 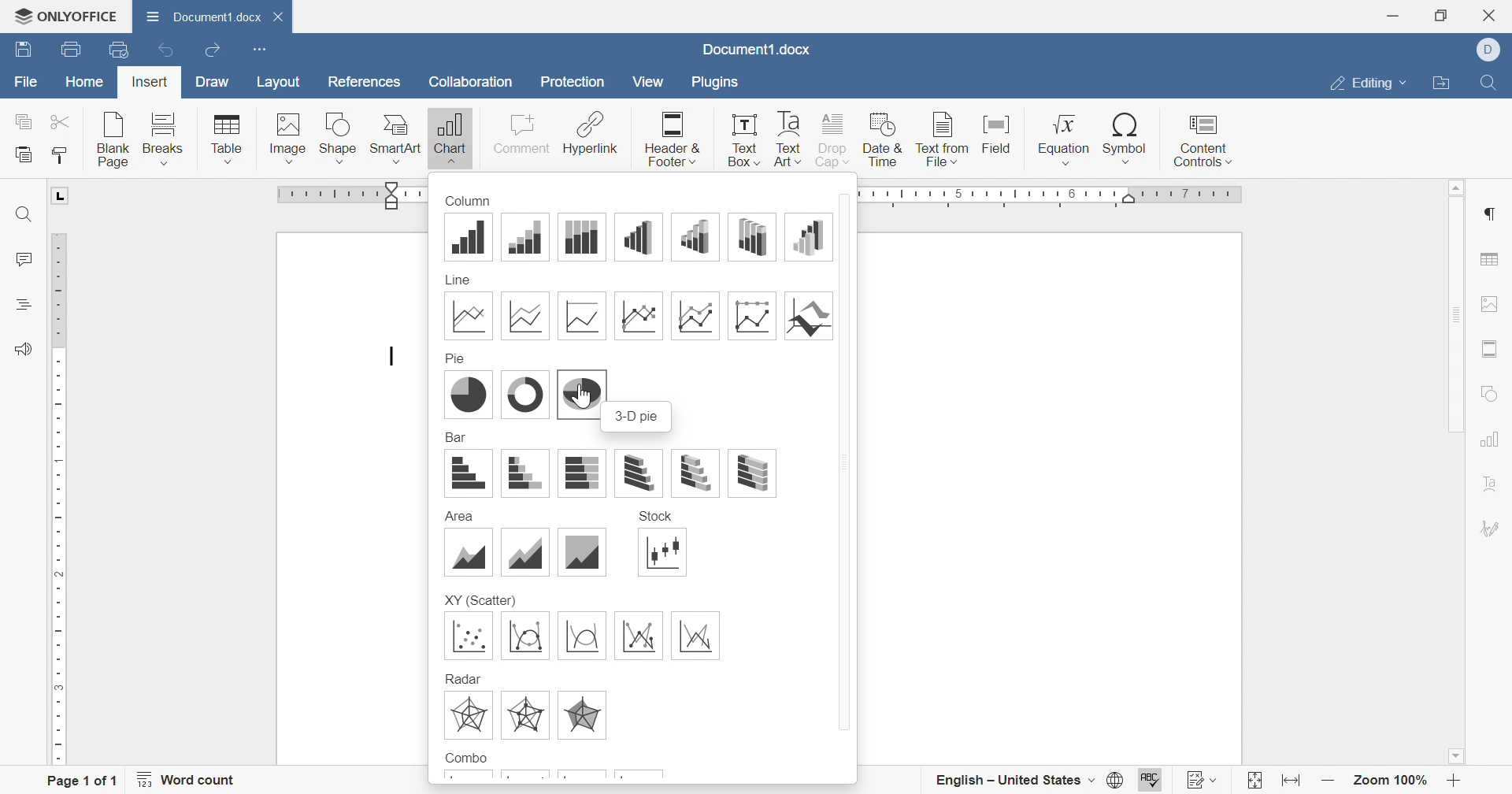 I want to click on Field, so click(x=1000, y=132).